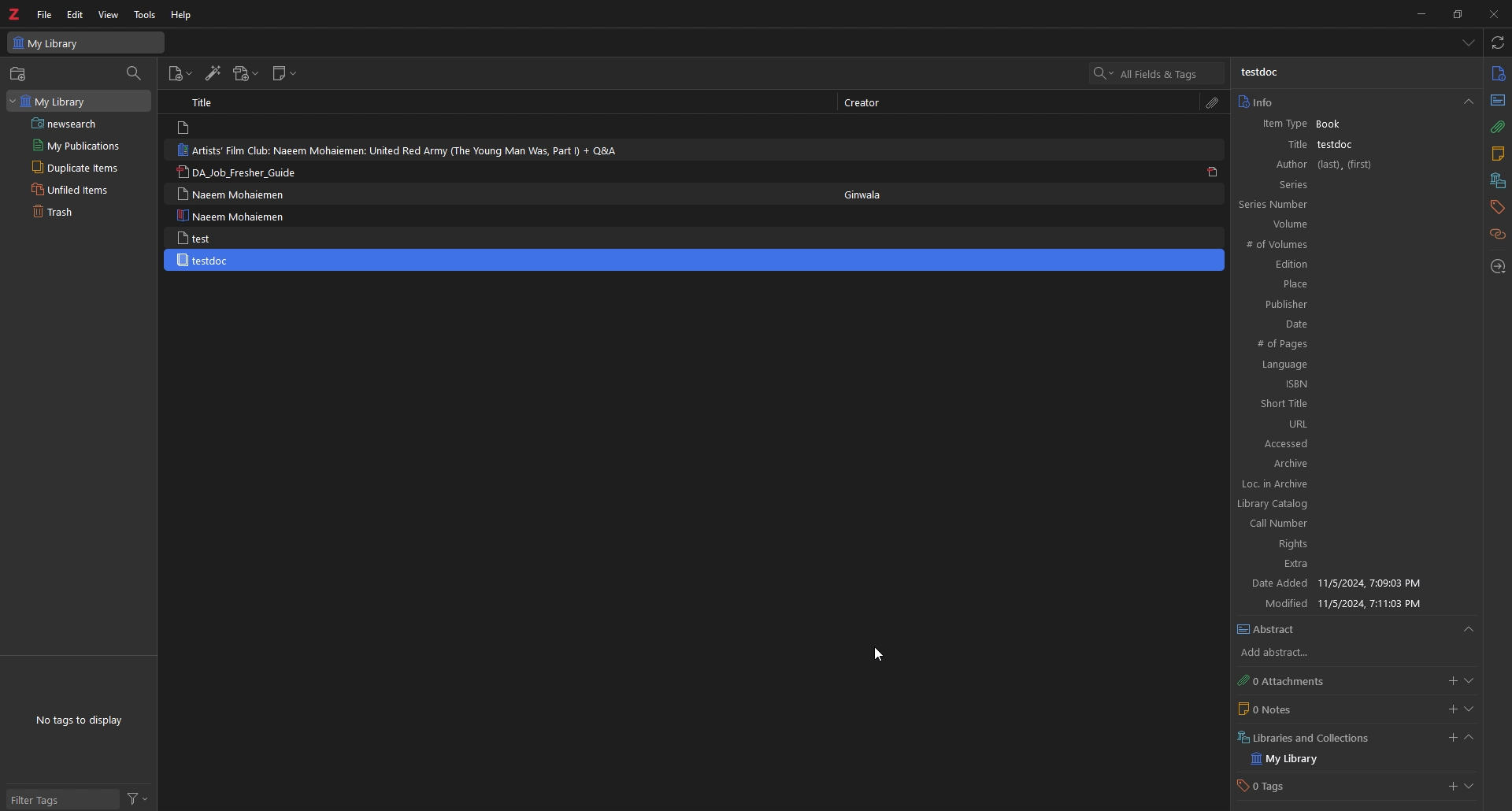 This screenshot has height=811, width=1512. Describe the element at coordinates (1353, 165) in the screenshot. I see `Author (last),(first)` at that location.